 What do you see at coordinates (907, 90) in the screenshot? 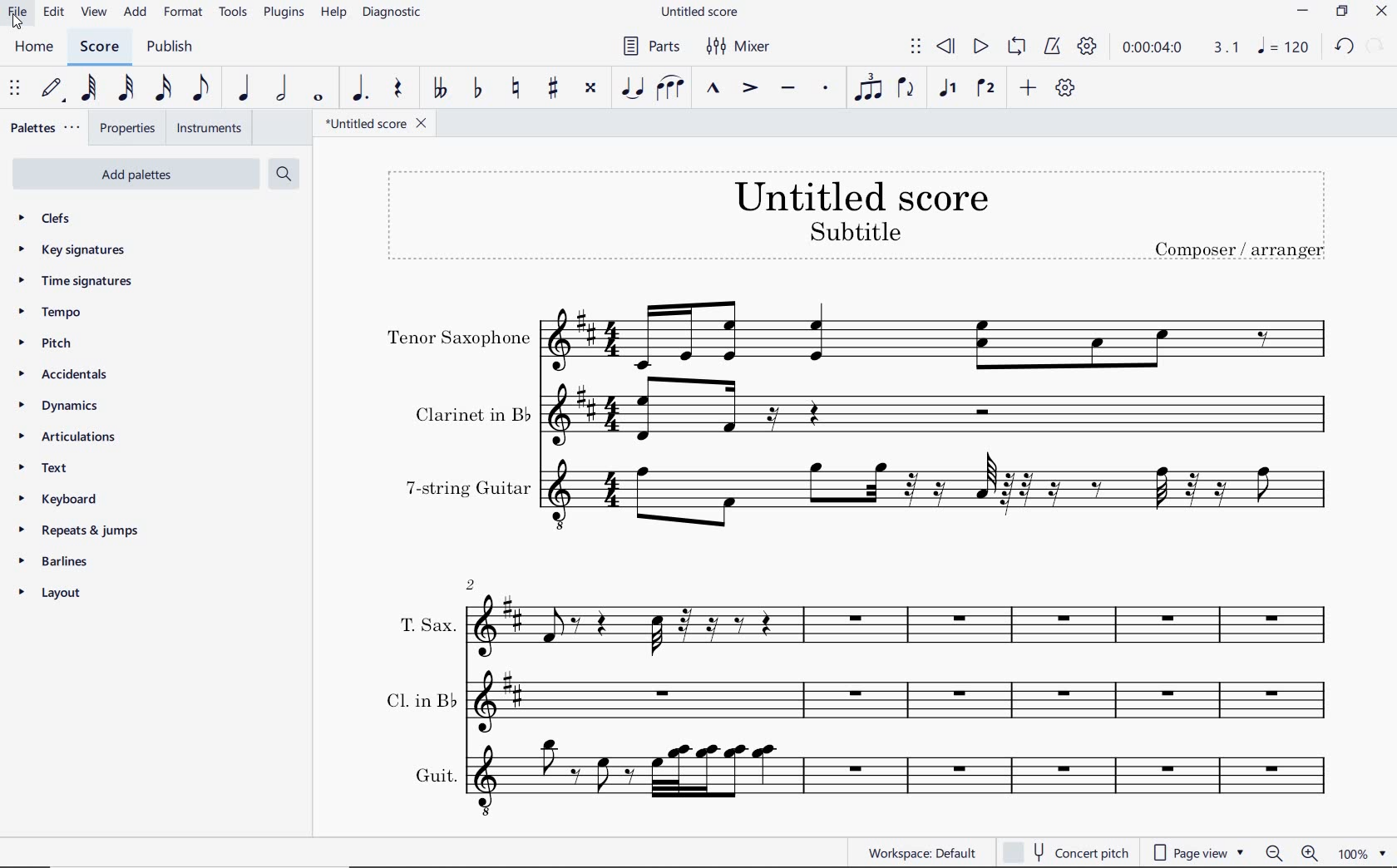
I see `FLIP DIRECTION` at bounding box center [907, 90].